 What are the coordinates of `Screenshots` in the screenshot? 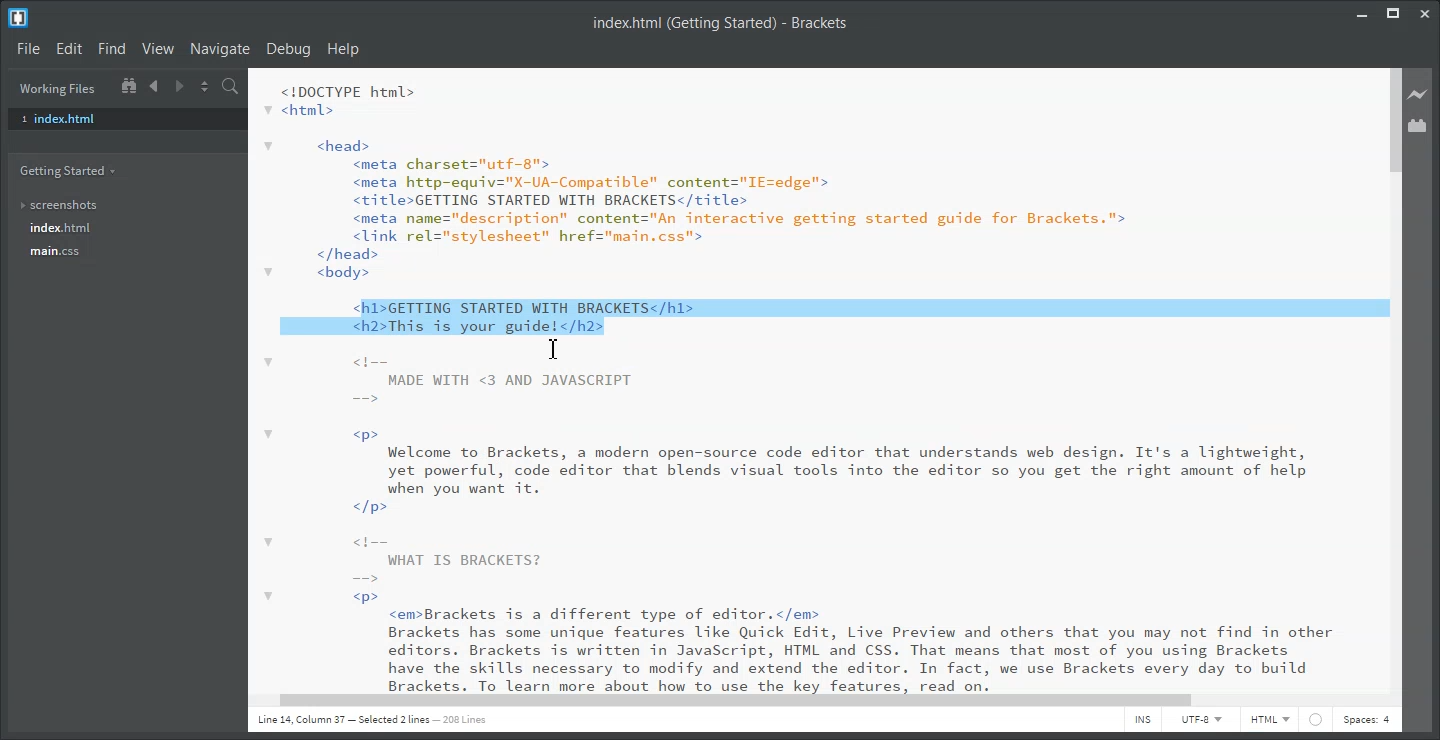 It's located at (60, 206).